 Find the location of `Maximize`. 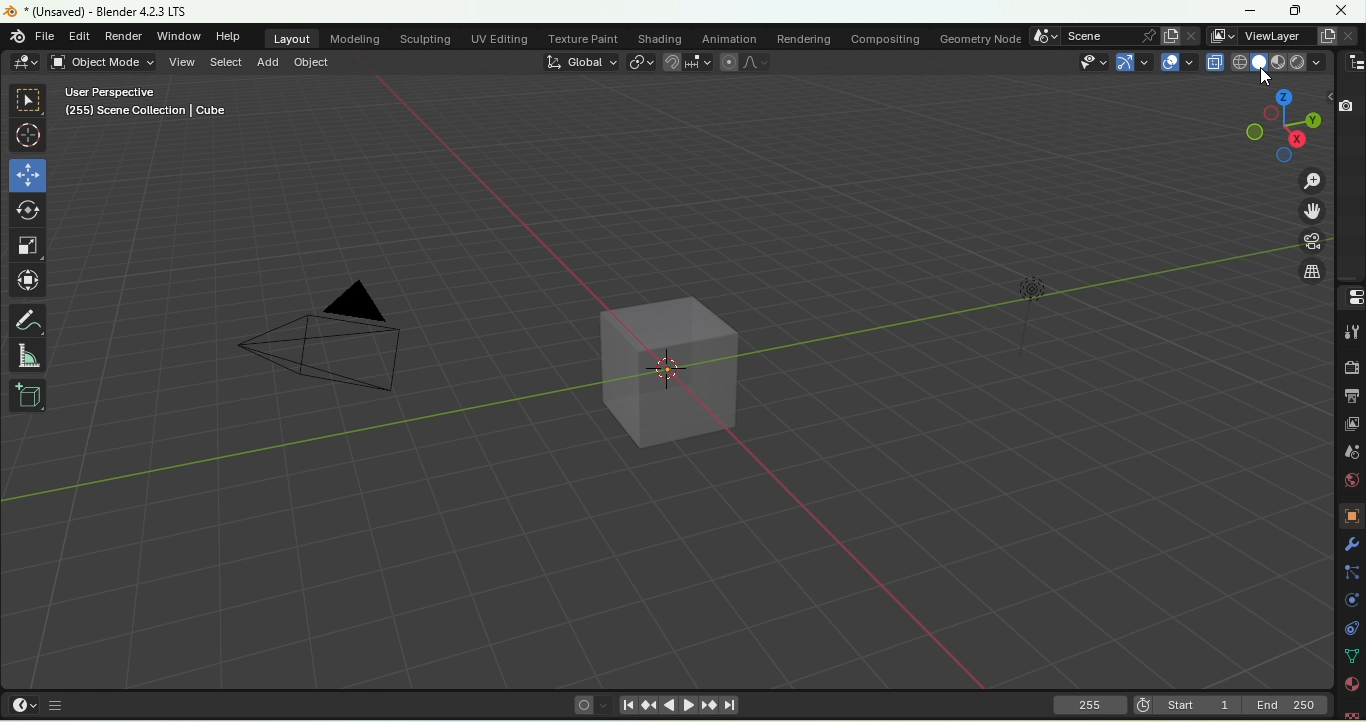

Maximize is located at coordinates (1250, 11).